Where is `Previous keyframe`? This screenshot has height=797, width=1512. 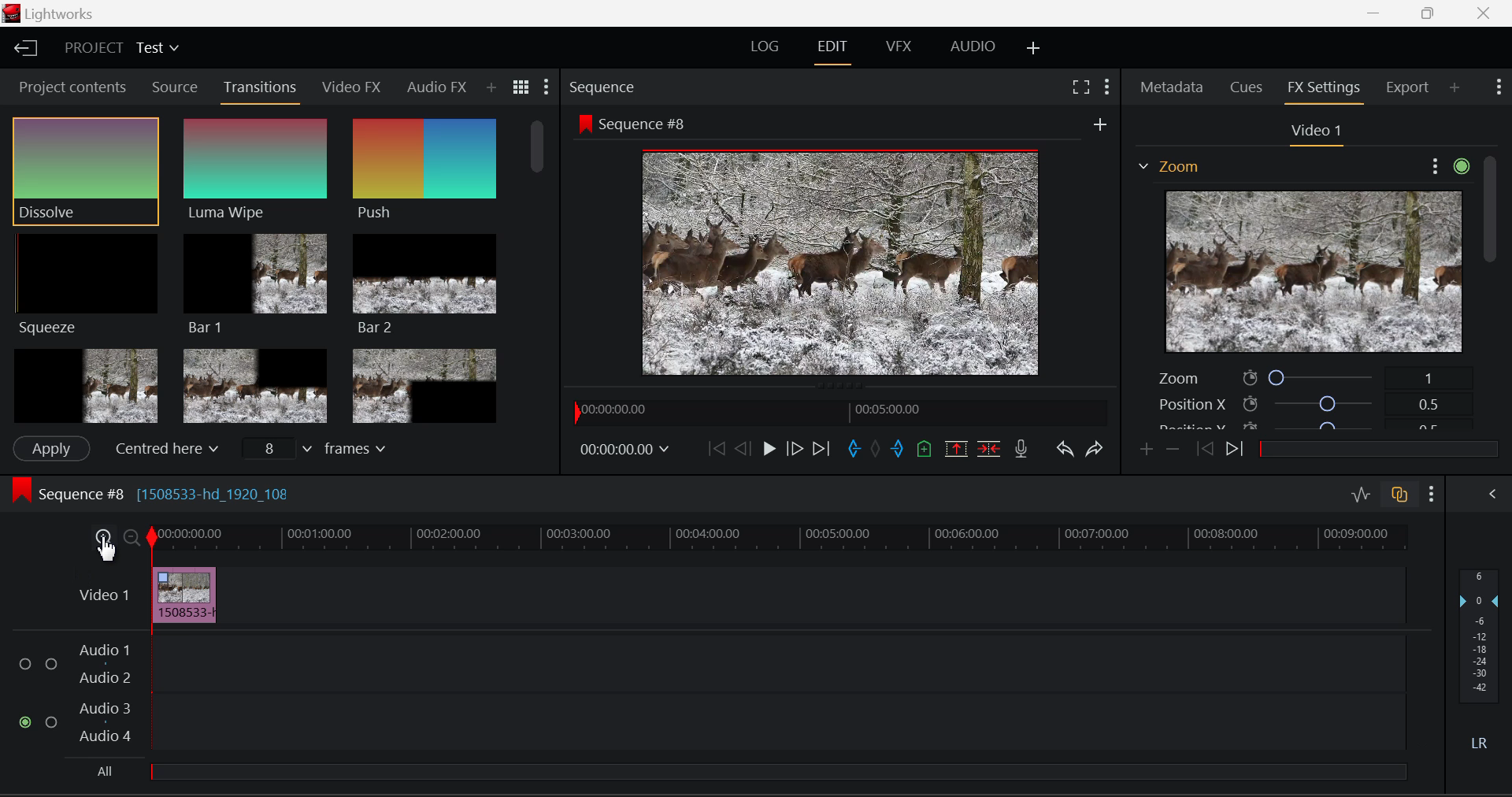
Previous keyframe is located at coordinates (1205, 448).